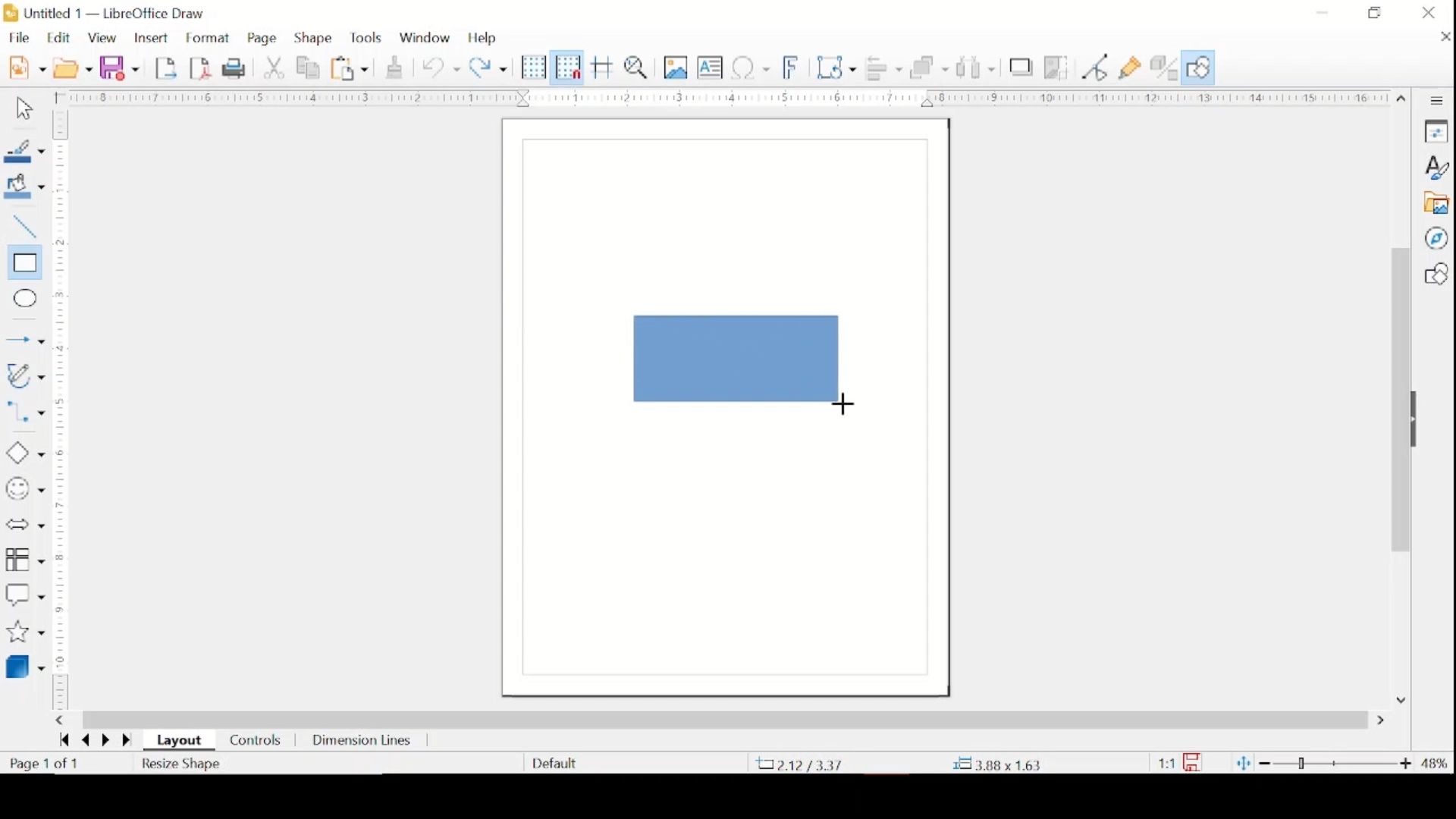 This screenshot has width=1456, height=819. Describe the element at coordinates (23, 263) in the screenshot. I see `insert rectangle` at that location.